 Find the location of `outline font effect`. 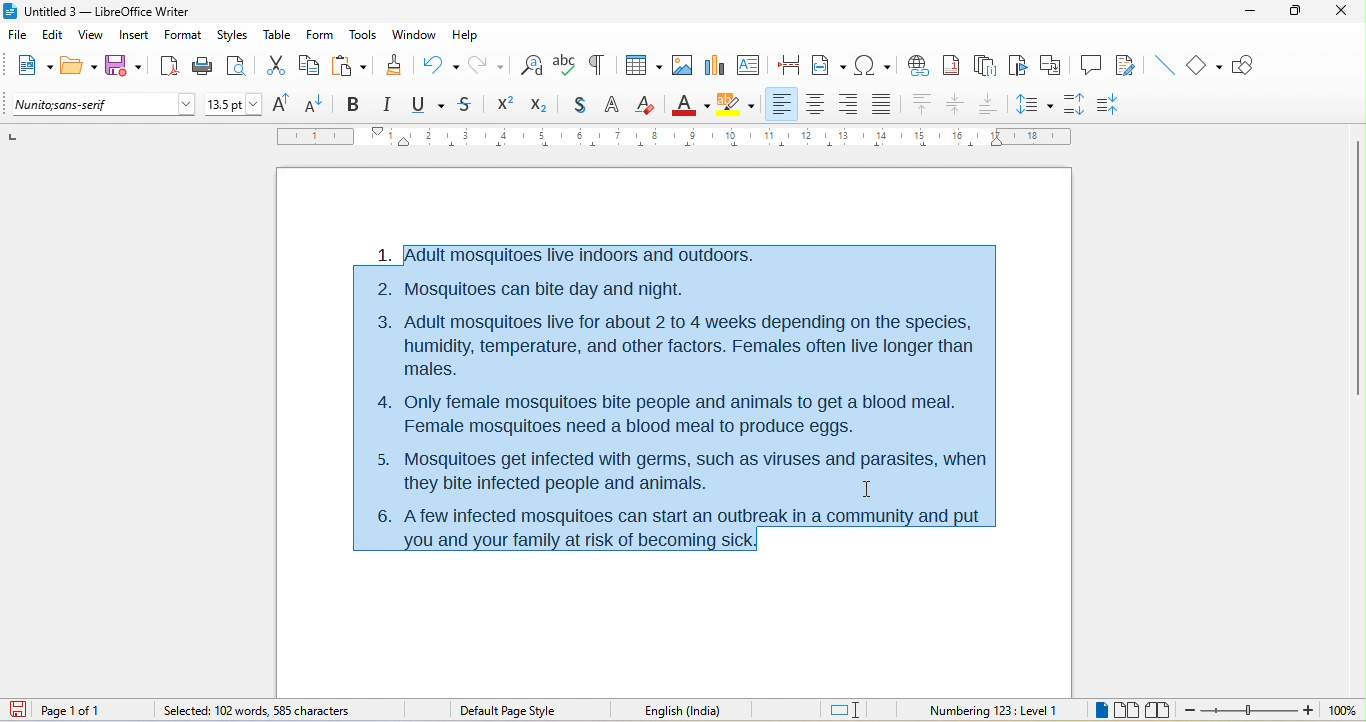

outline font effect is located at coordinates (612, 107).